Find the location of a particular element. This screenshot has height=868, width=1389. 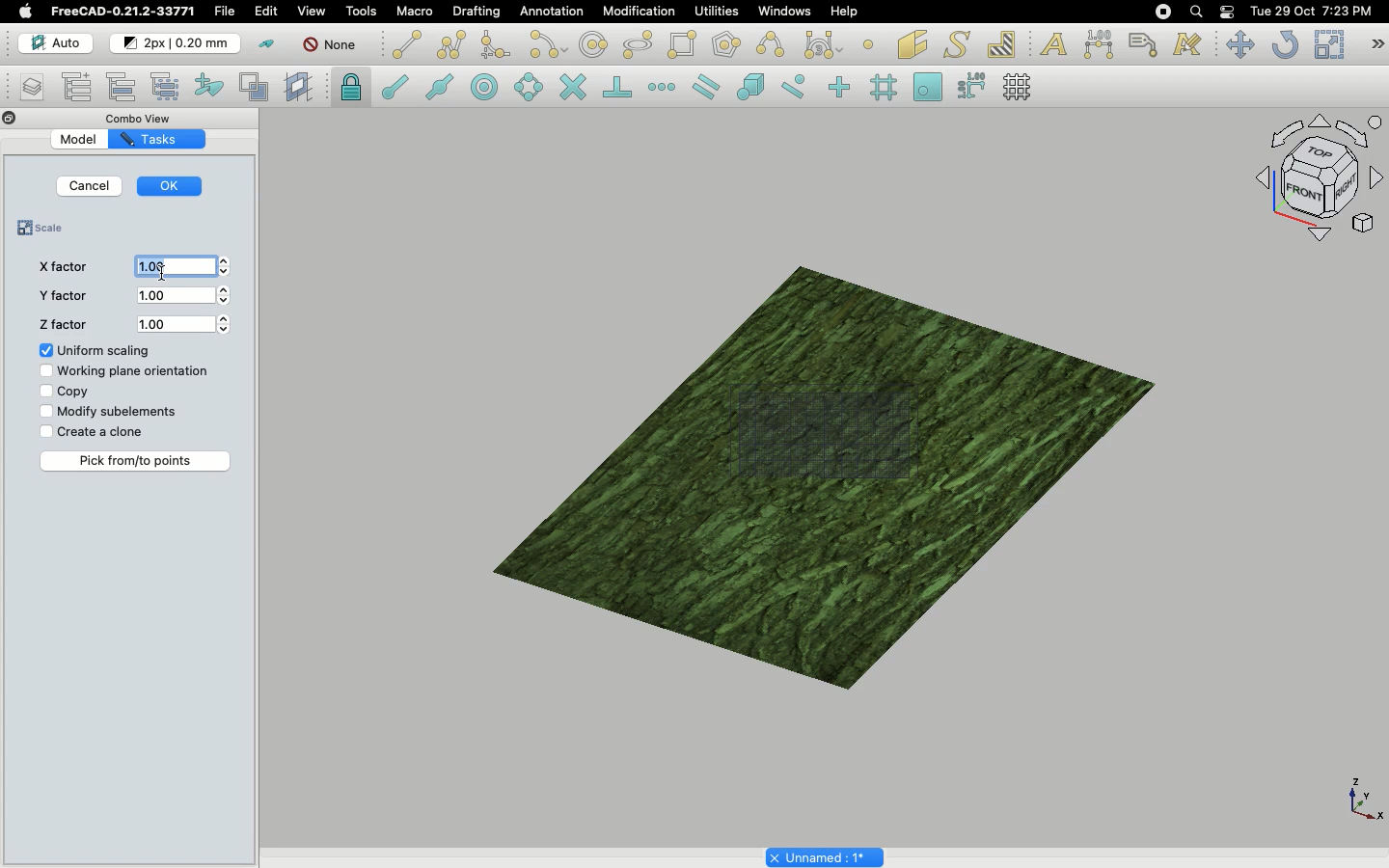

Move is located at coordinates (1239, 45).